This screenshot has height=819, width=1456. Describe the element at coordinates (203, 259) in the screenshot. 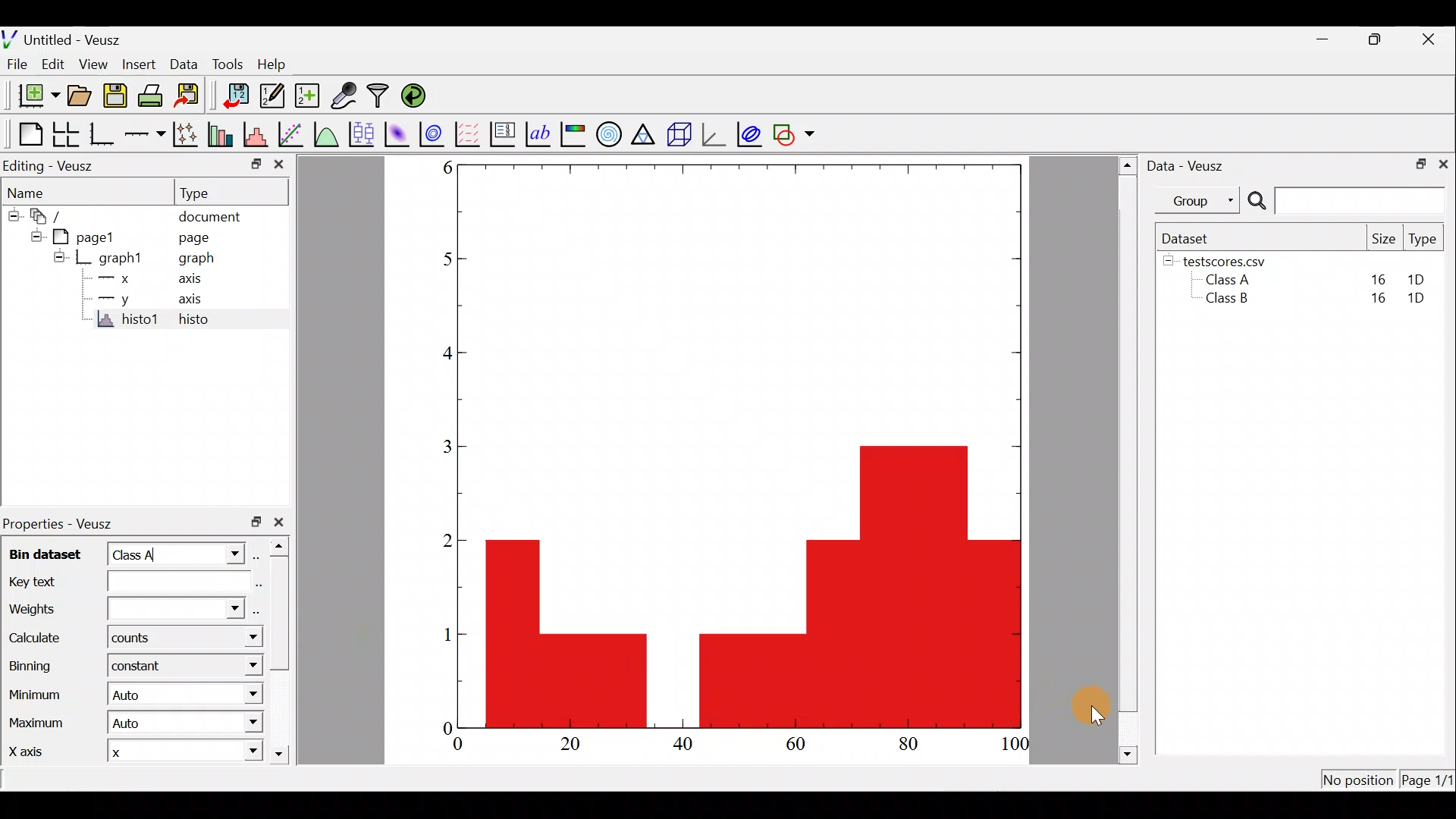

I see `graph` at that location.